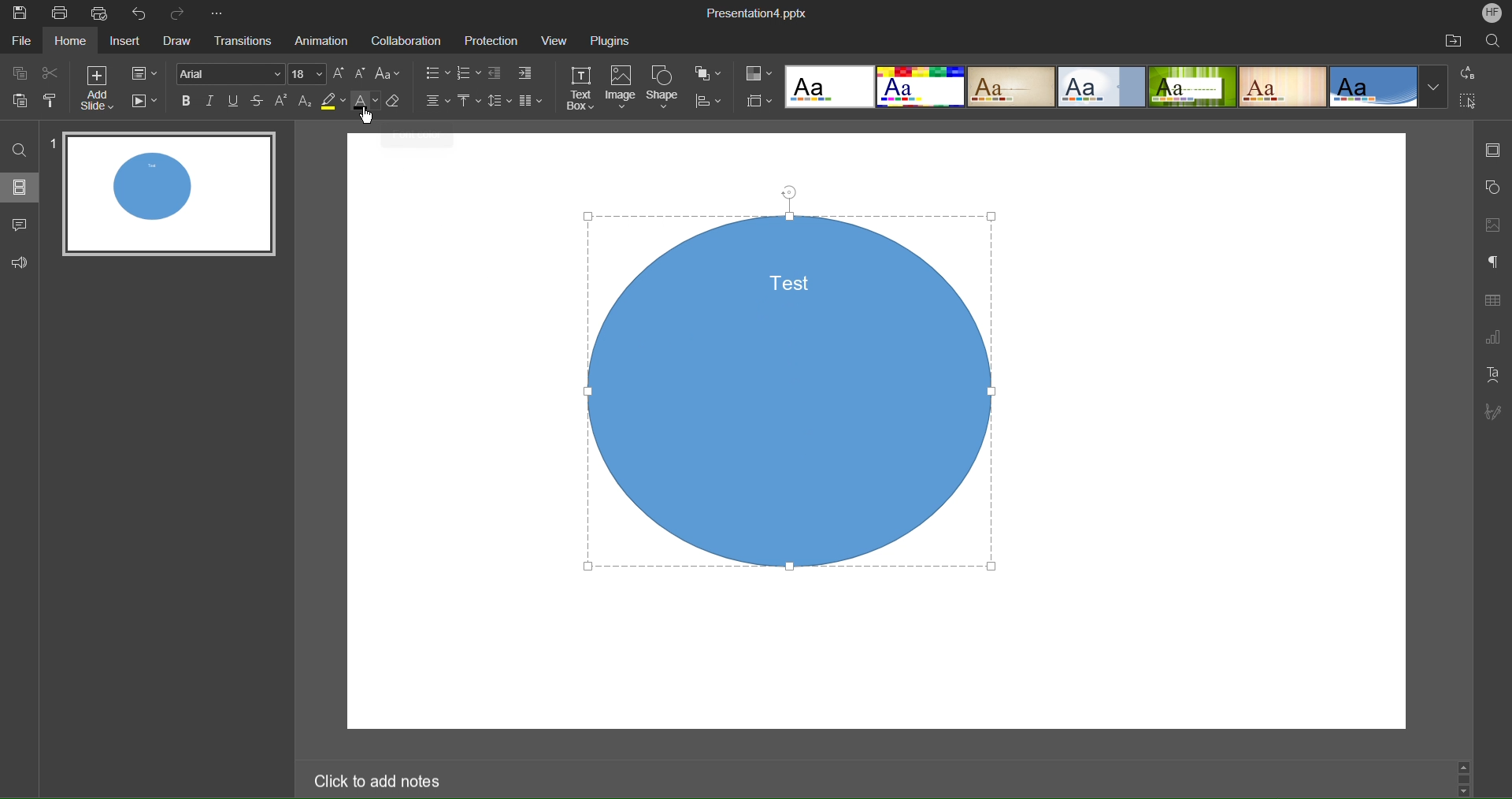  What do you see at coordinates (180, 40) in the screenshot?
I see `Draw` at bounding box center [180, 40].